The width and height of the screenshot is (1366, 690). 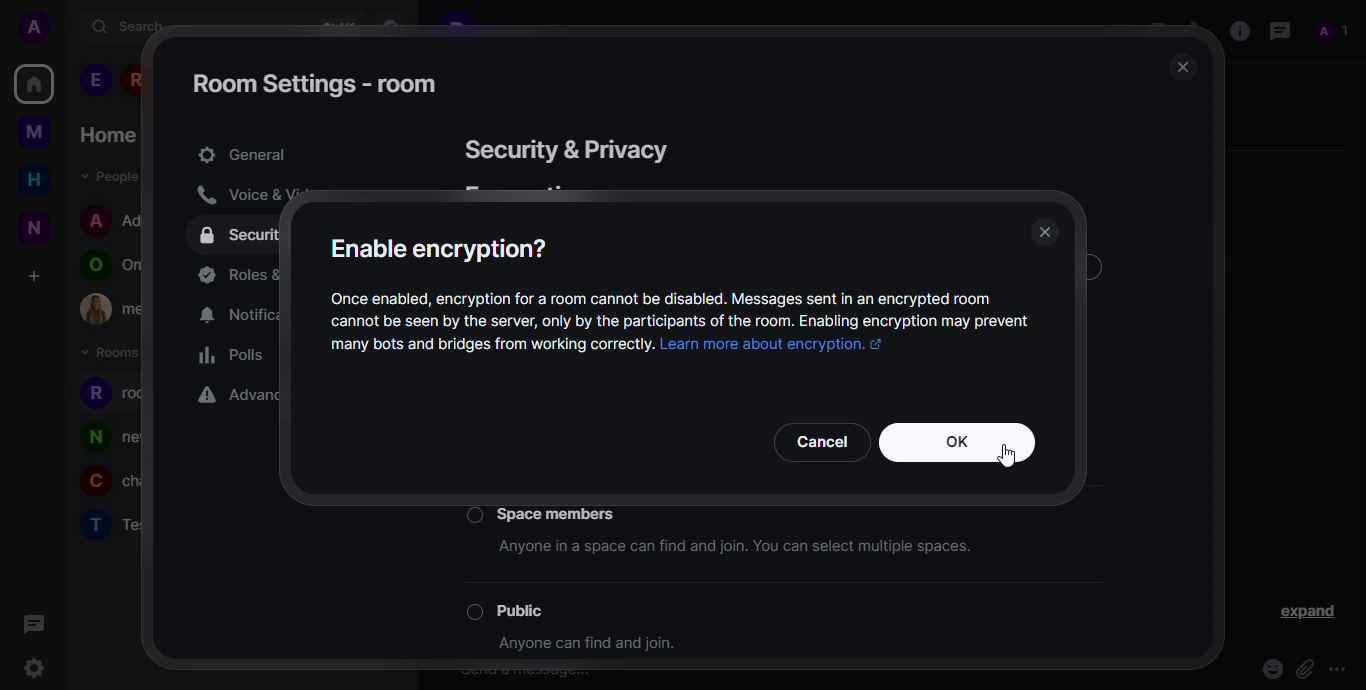 I want to click on hyperlink, so click(x=771, y=346).